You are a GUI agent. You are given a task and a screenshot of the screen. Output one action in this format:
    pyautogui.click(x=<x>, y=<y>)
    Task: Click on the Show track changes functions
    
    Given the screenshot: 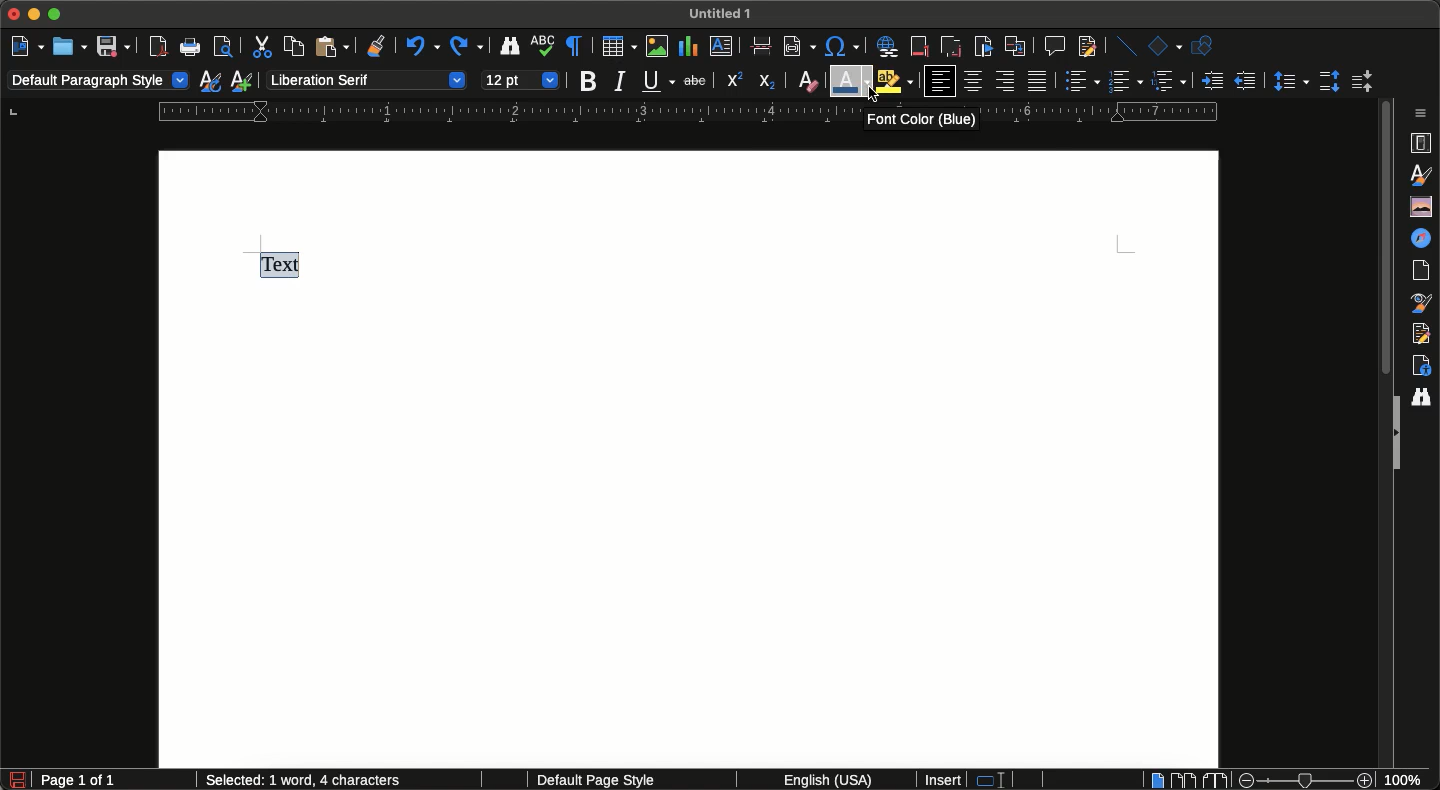 What is the action you would take?
    pyautogui.click(x=1085, y=47)
    